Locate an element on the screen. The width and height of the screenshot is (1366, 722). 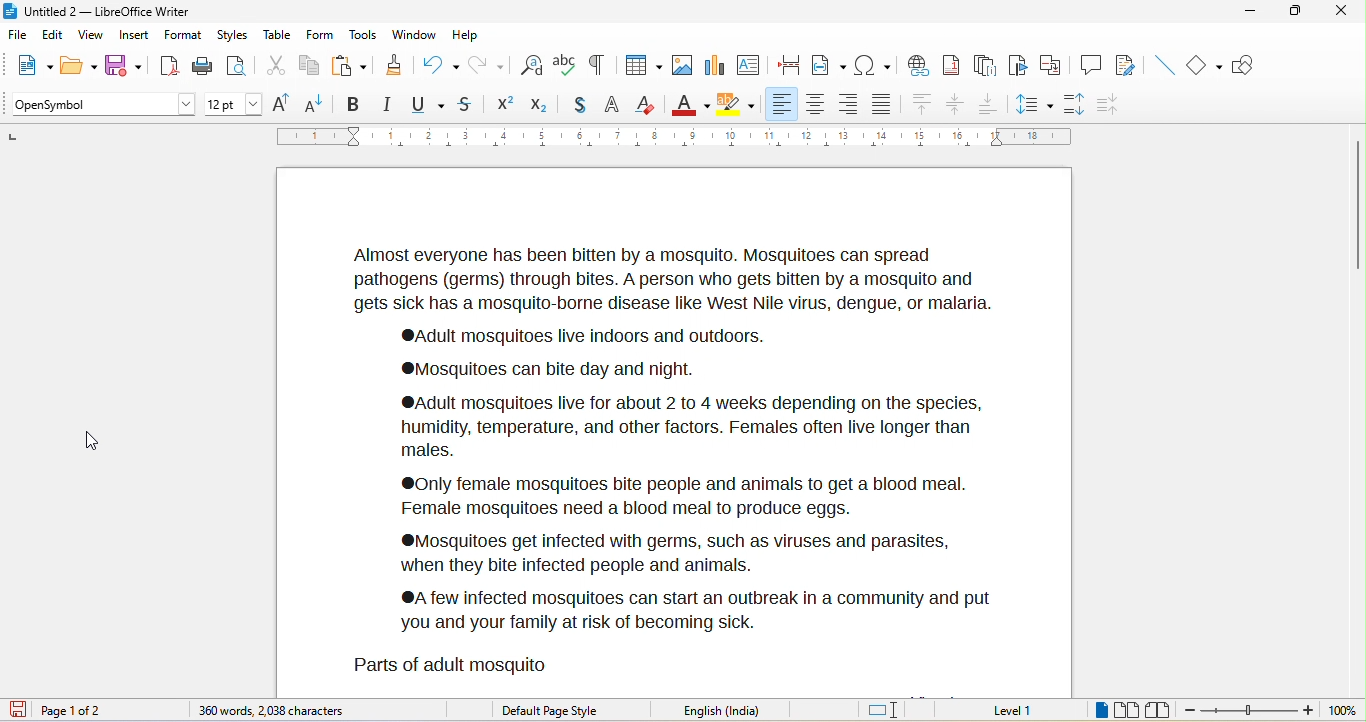
align left is located at coordinates (781, 104).